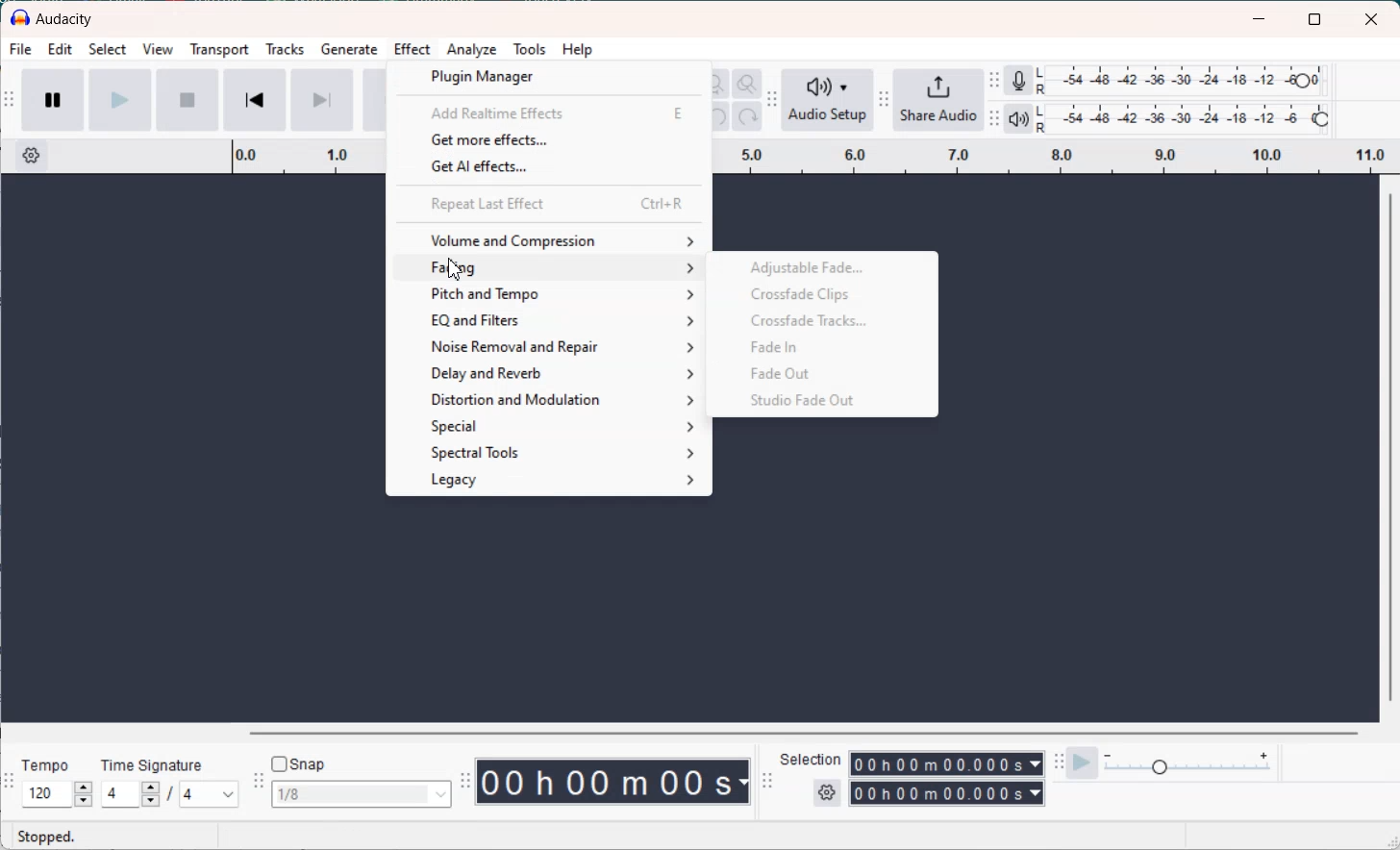 This screenshot has width=1400, height=850. What do you see at coordinates (470, 50) in the screenshot?
I see `Analyze` at bounding box center [470, 50].